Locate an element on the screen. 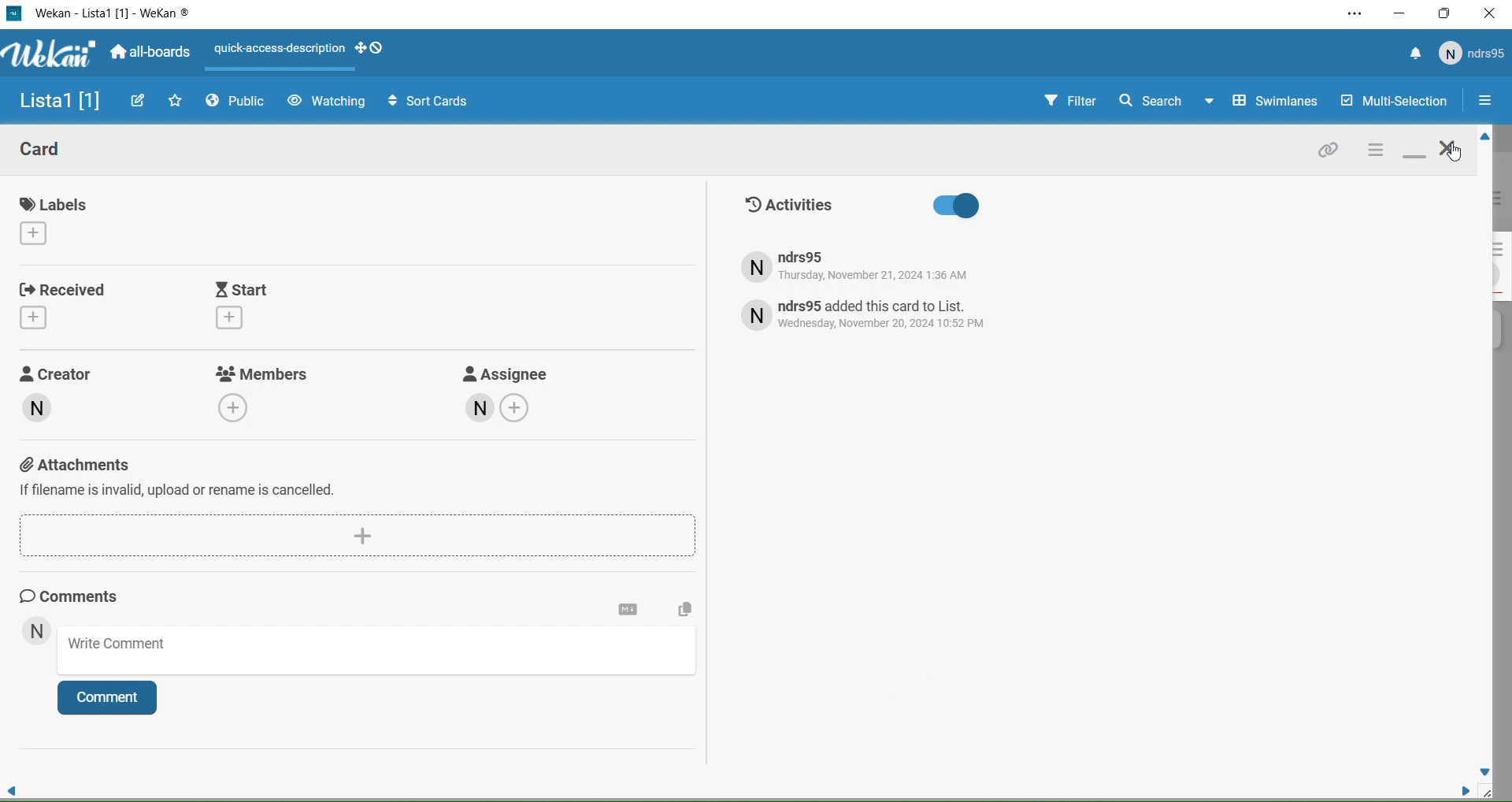 Image resolution: width=1512 pixels, height=802 pixels. Layout Actions is located at coordinates (279, 54).